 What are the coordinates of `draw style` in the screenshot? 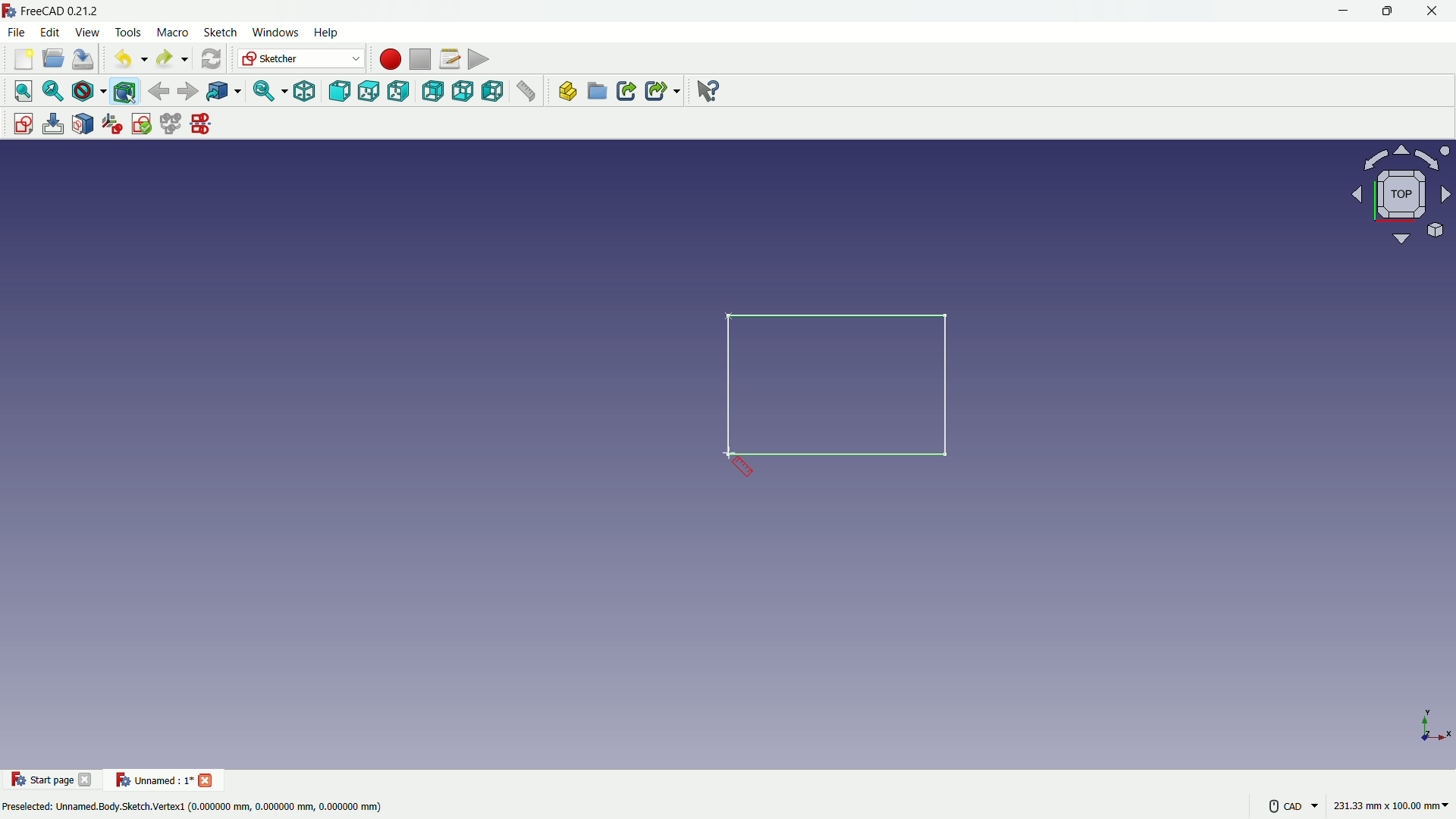 It's located at (89, 91).